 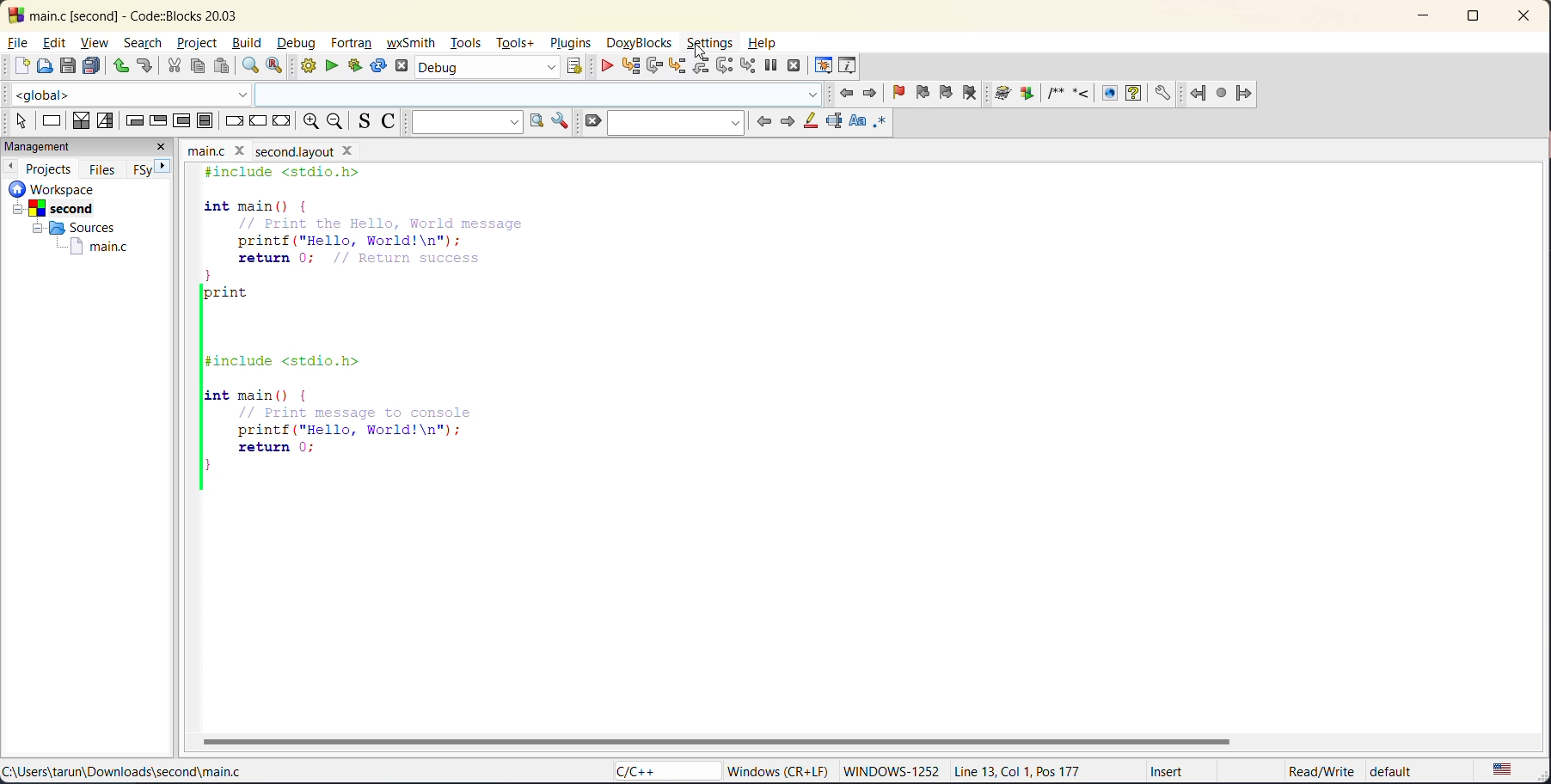 I want to click on previous, so click(x=762, y=121).